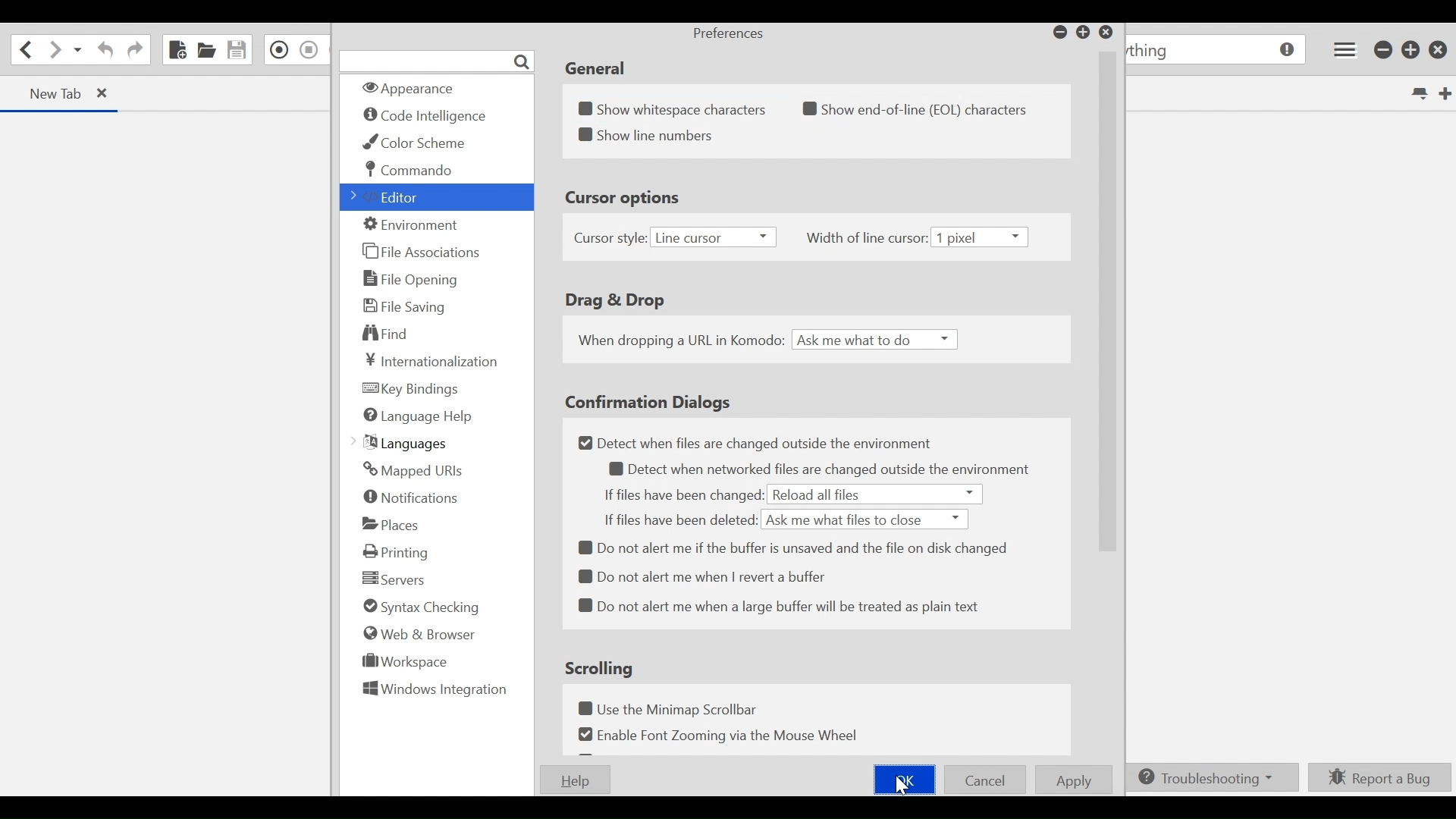  Describe the element at coordinates (1073, 780) in the screenshot. I see `Apply` at that location.